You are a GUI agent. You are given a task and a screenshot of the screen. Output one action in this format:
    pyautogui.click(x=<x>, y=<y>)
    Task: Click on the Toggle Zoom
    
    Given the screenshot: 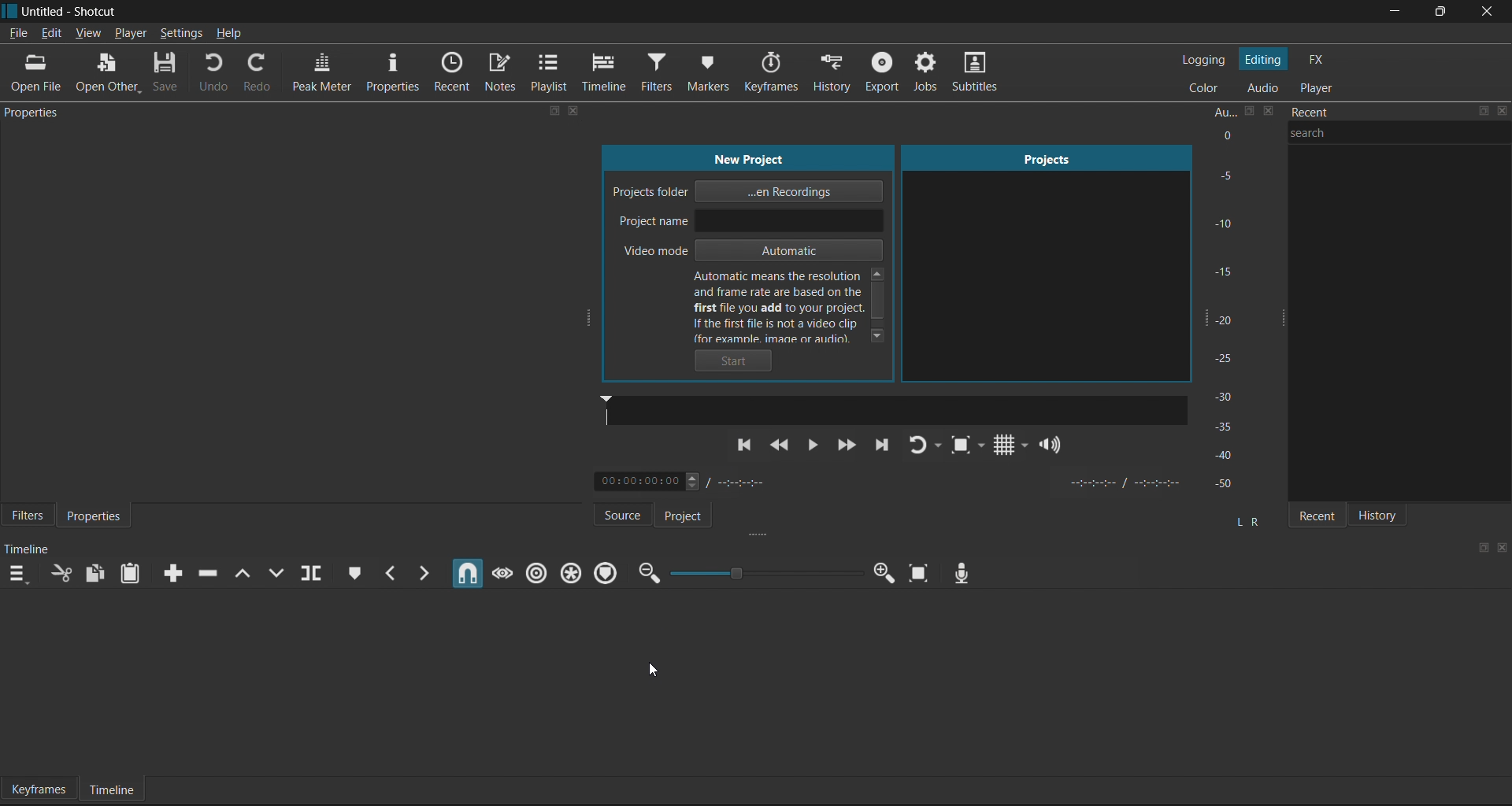 What is the action you would take?
    pyautogui.click(x=964, y=448)
    